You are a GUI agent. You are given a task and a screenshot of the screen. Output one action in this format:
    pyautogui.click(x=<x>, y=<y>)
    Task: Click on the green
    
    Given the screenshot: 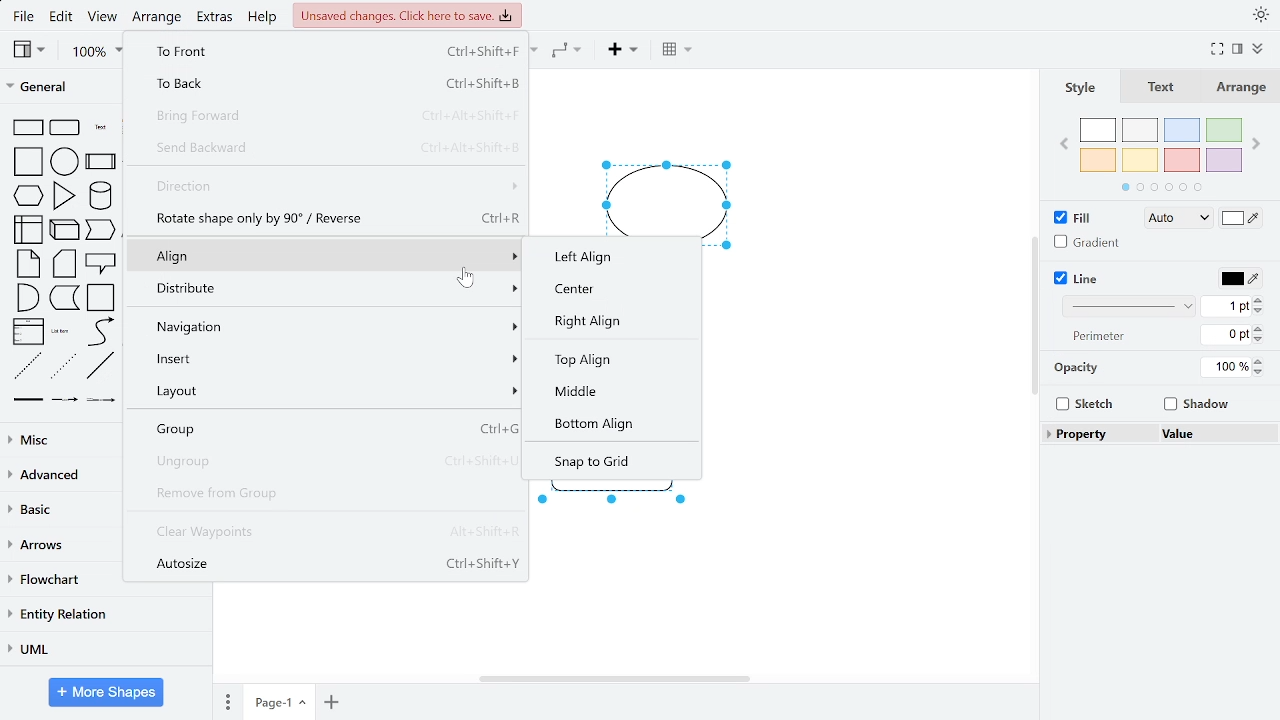 What is the action you would take?
    pyautogui.click(x=1222, y=131)
    